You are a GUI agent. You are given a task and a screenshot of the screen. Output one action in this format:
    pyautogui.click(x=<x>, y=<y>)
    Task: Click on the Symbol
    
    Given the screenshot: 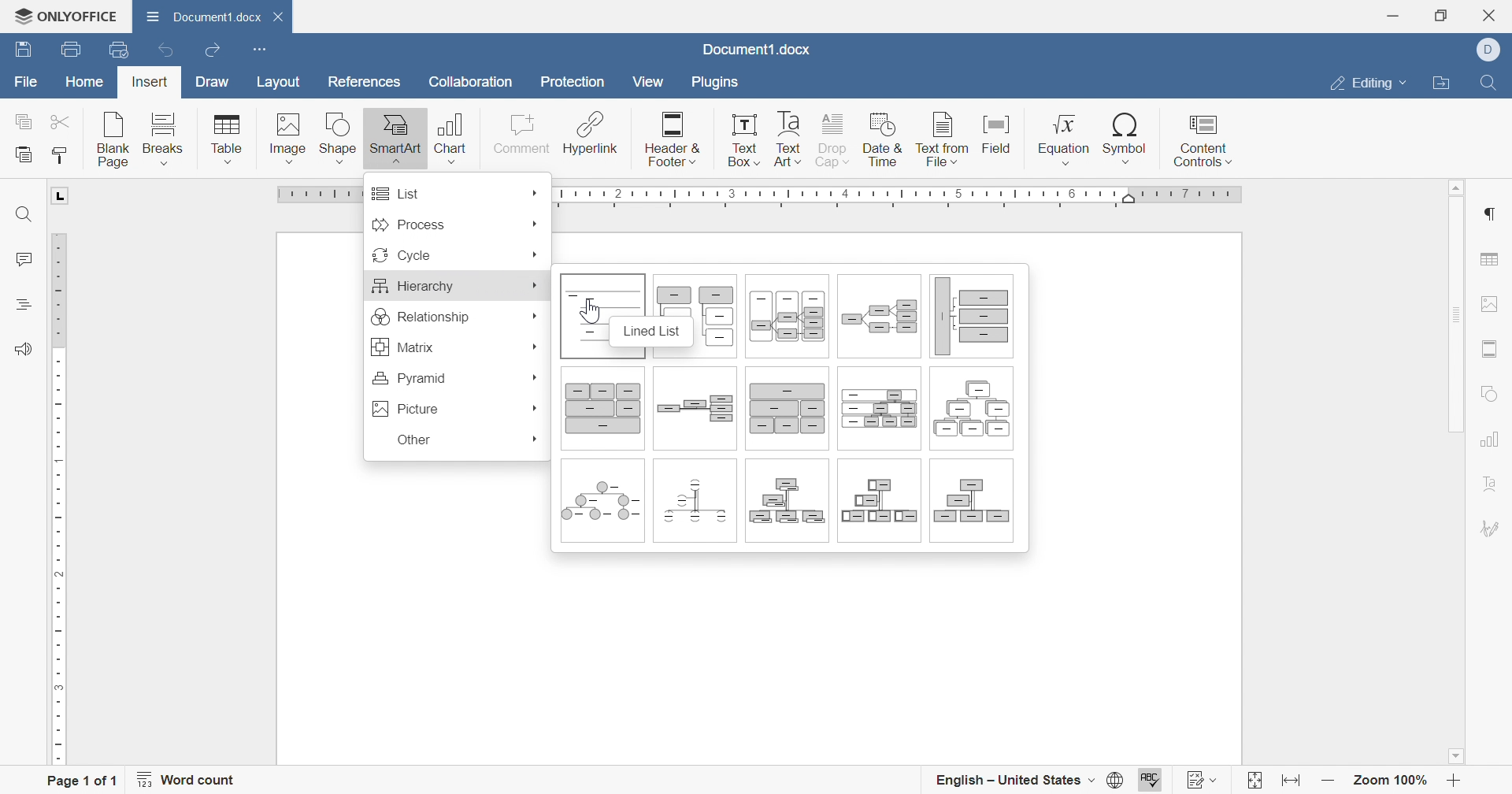 What is the action you would take?
    pyautogui.click(x=1126, y=140)
    